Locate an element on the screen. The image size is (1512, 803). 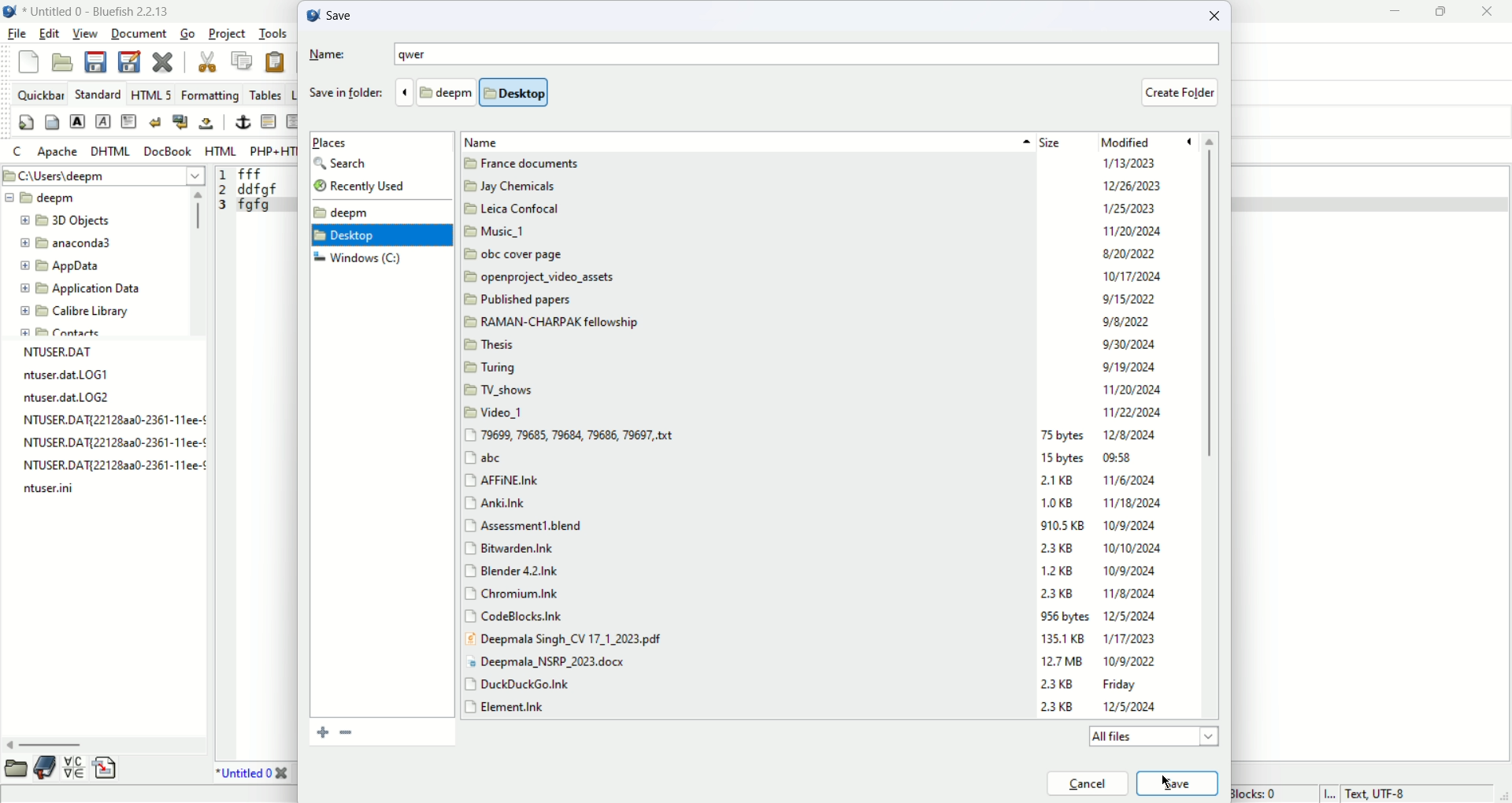
folder location is located at coordinates (493, 94).